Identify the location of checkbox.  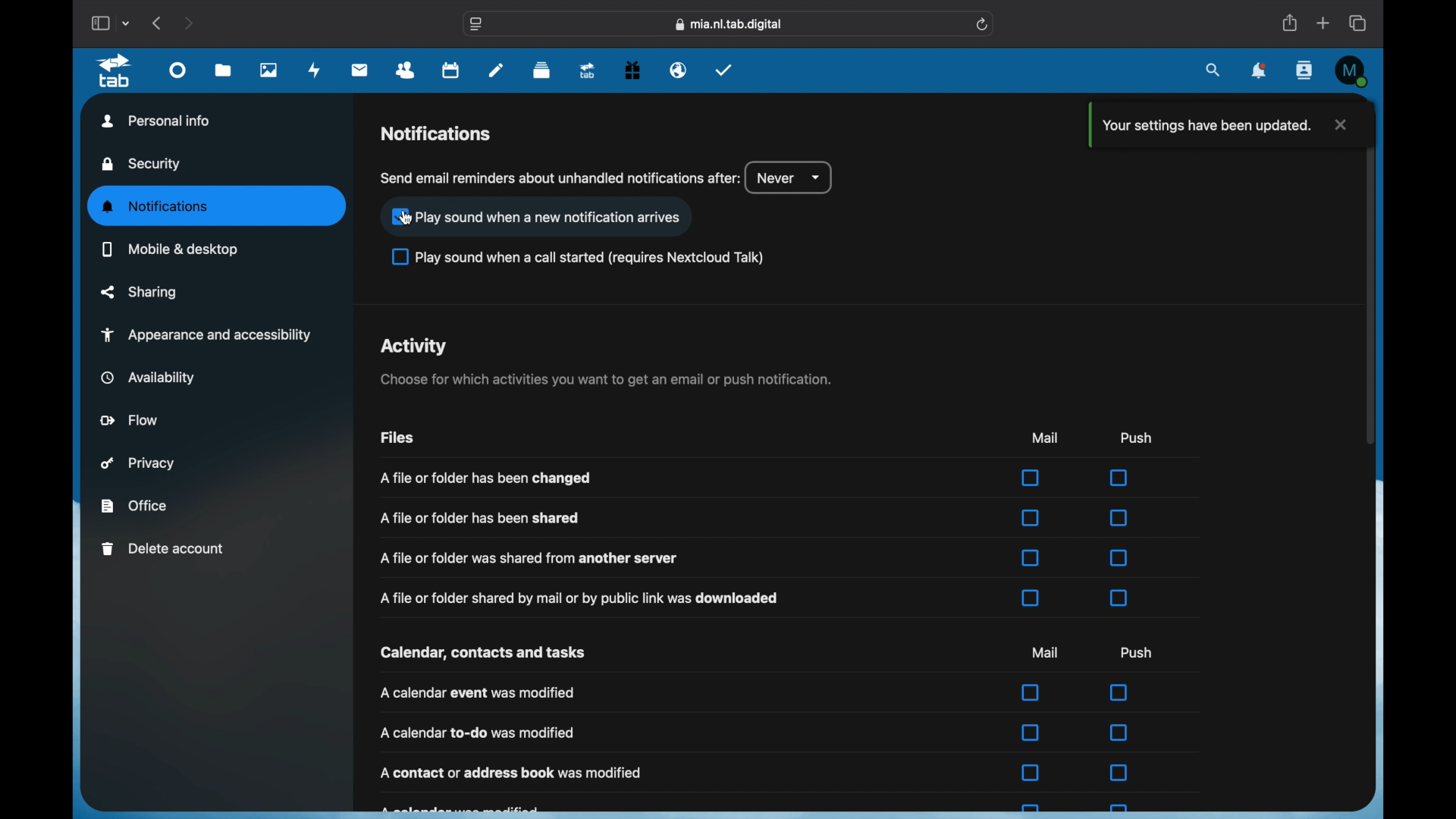
(1120, 478).